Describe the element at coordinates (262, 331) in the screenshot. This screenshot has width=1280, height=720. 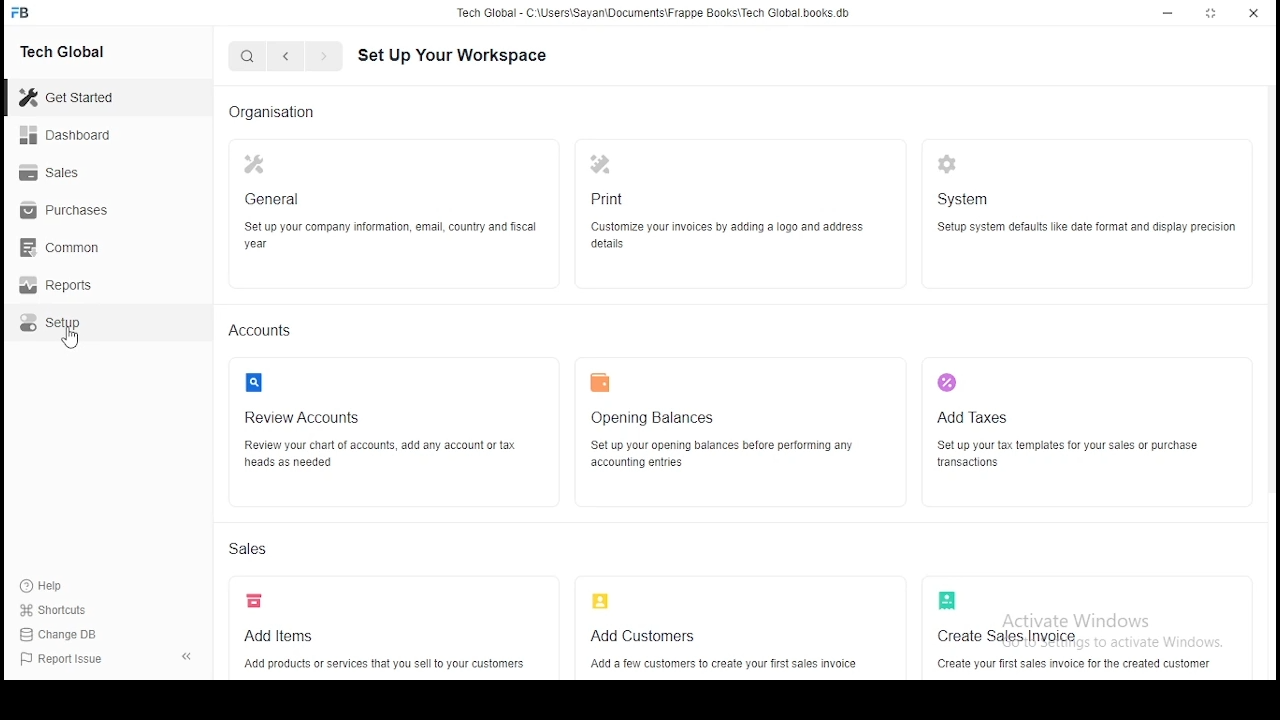
I see `Accounts ` at that location.